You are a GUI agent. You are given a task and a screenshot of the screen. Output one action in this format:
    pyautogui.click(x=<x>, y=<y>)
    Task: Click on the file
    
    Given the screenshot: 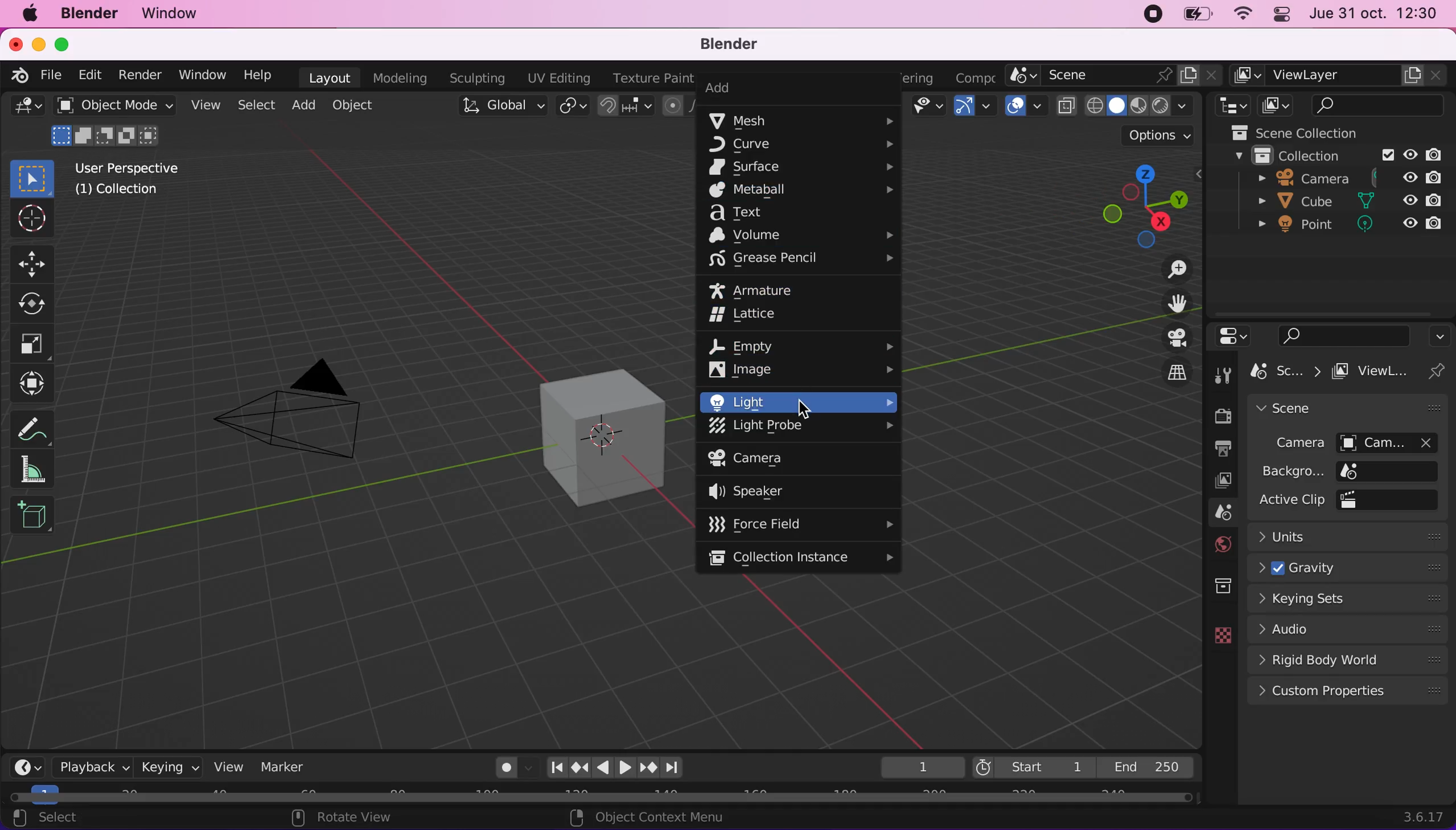 What is the action you would take?
    pyautogui.click(x=55, y=76)
    